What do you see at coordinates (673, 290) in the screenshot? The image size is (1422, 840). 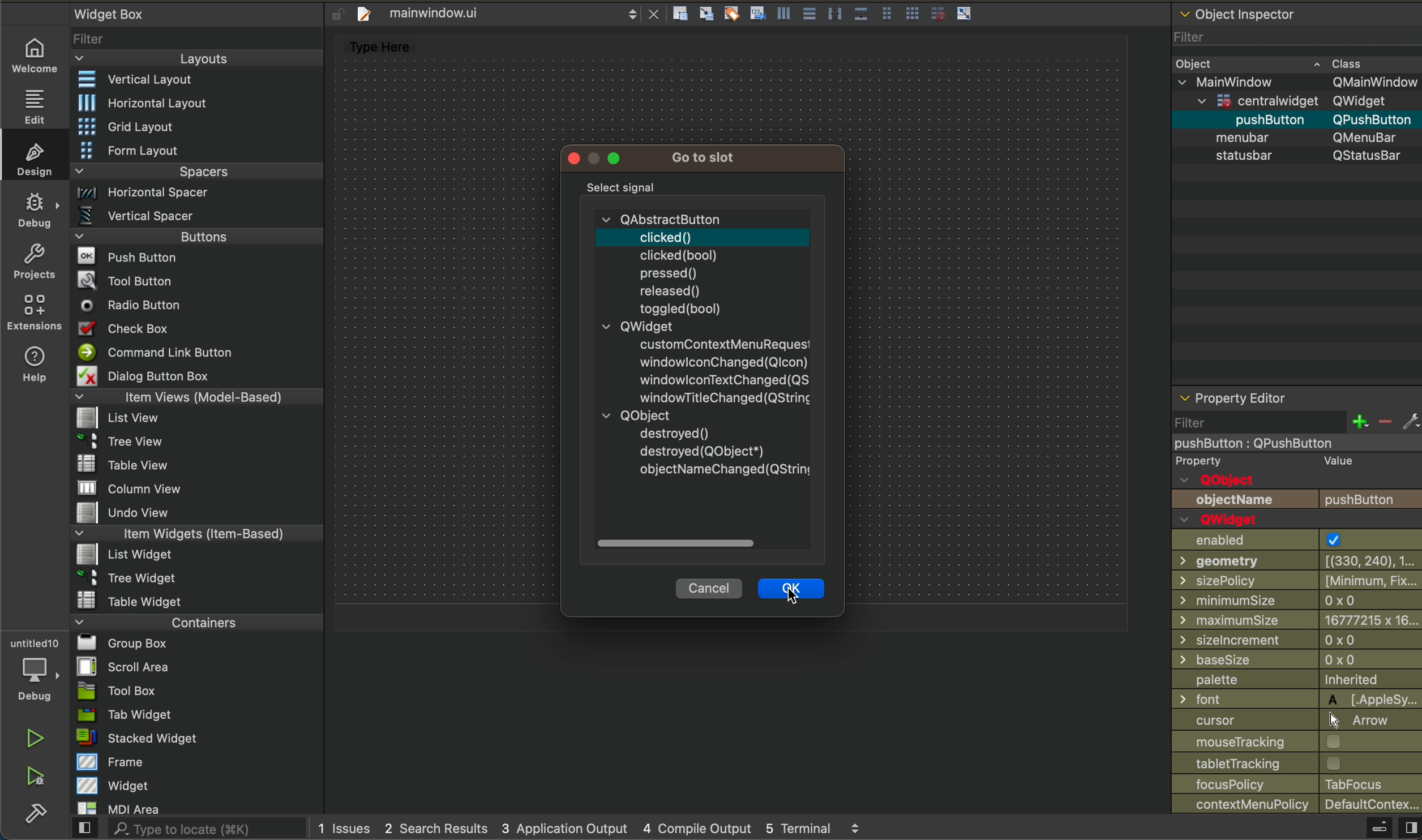 I see `released()` at bounding box center [673, 290].